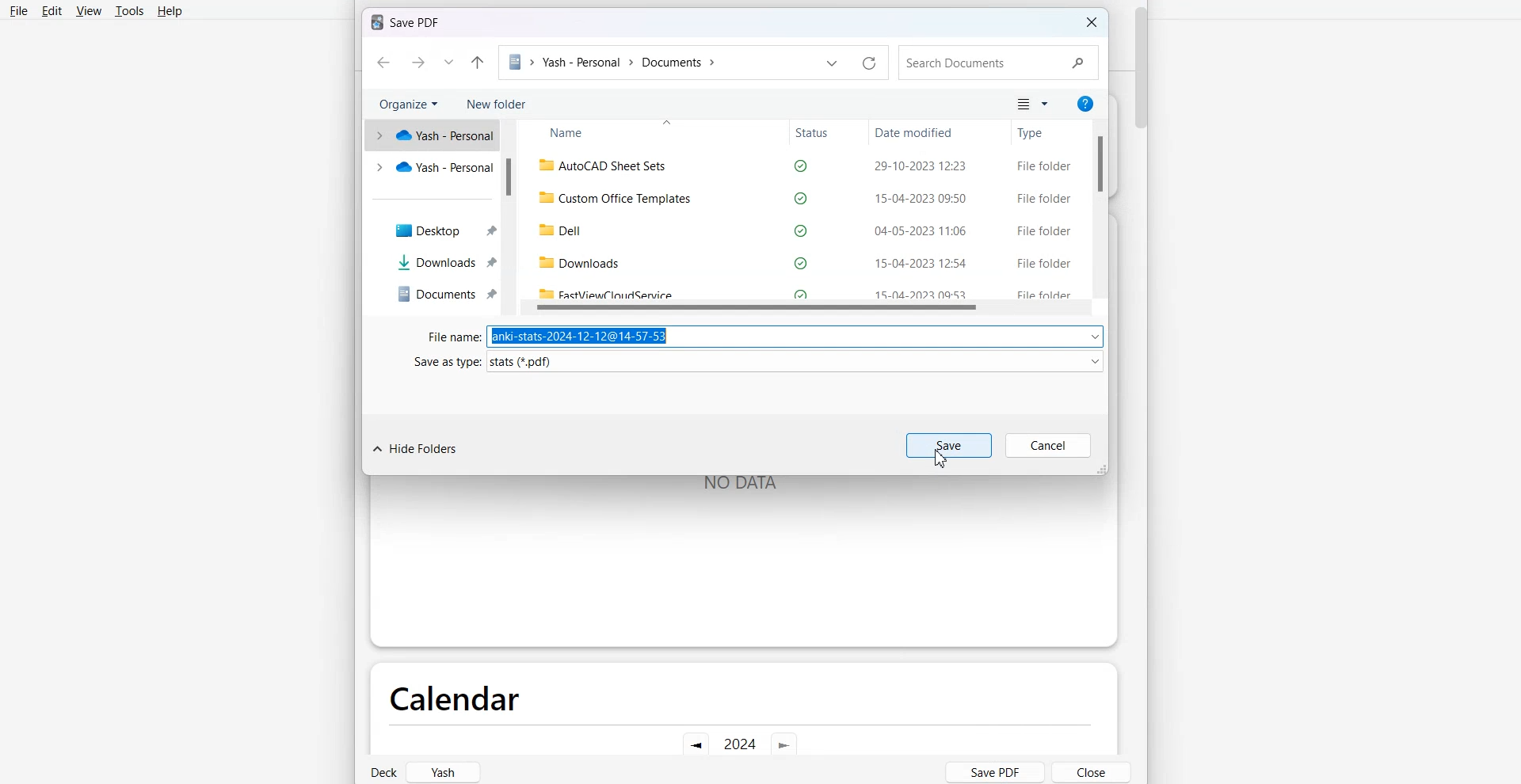  I want to click on Previous File, so click(832, 62).